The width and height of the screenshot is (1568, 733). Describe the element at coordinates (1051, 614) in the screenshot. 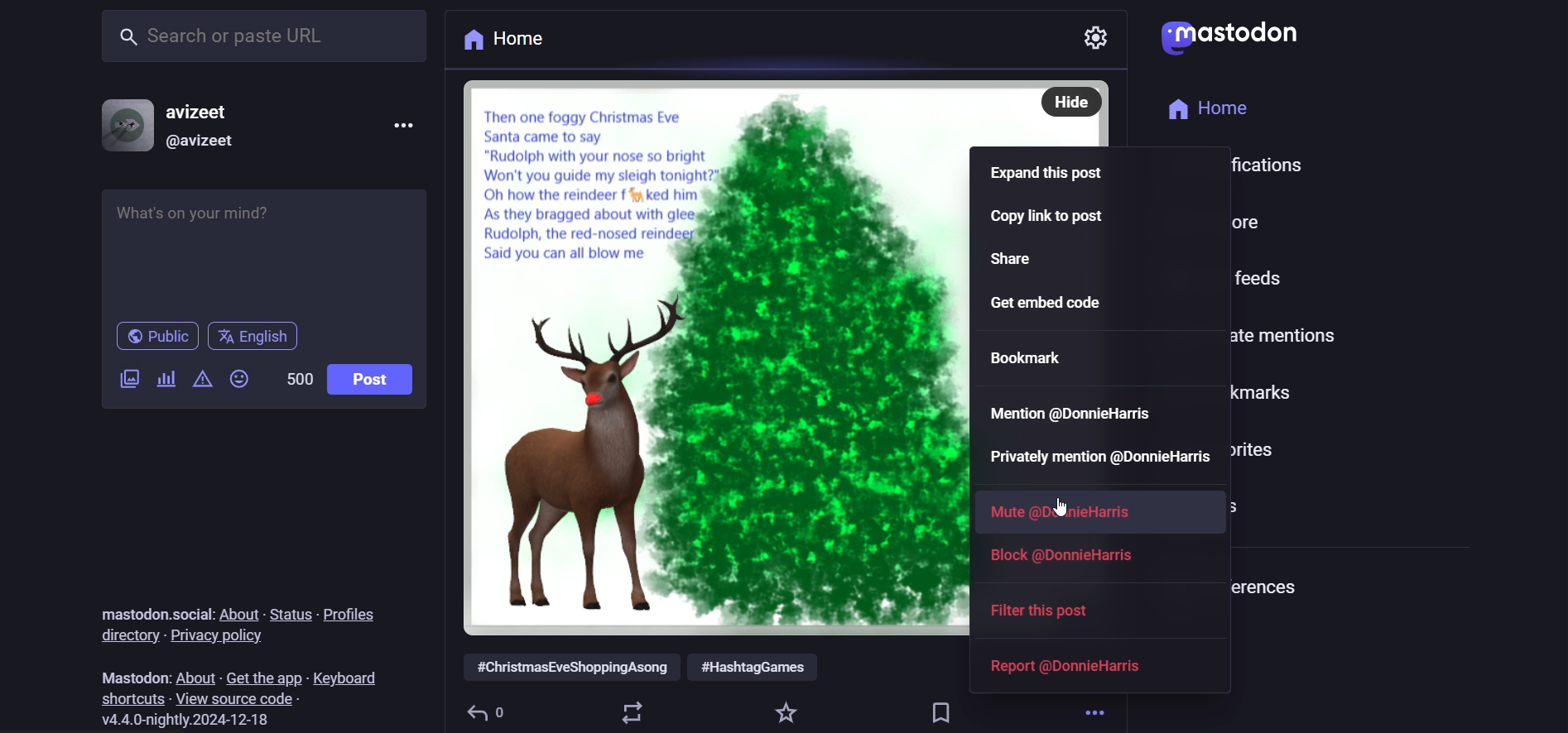

I see `filter this post` at that location.